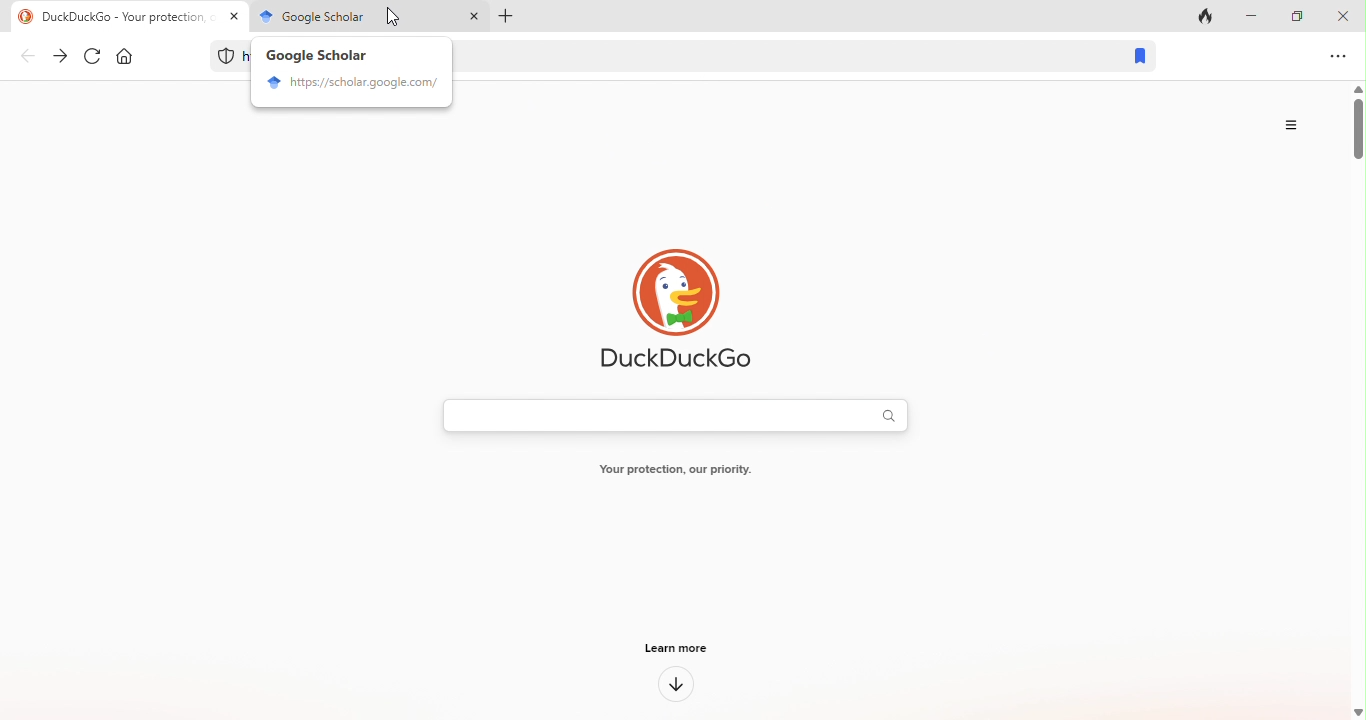 This screenshot has height=720, width=1366. What do you see at coordinates (61, 56) in the screenshot?
I see `forward` at bounding box center [61, 56].